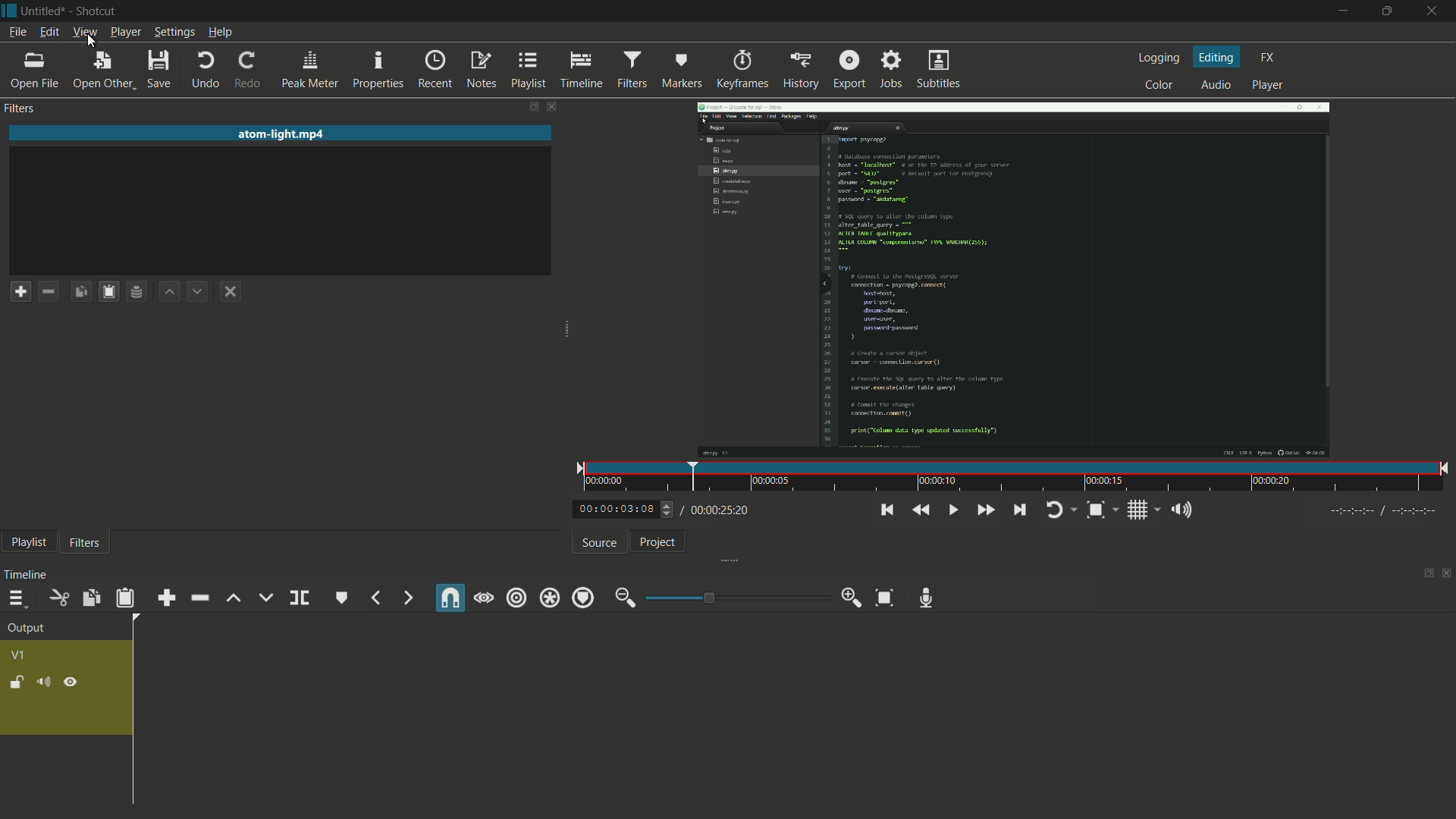  I want to click on peak meter, so click(310, 71).